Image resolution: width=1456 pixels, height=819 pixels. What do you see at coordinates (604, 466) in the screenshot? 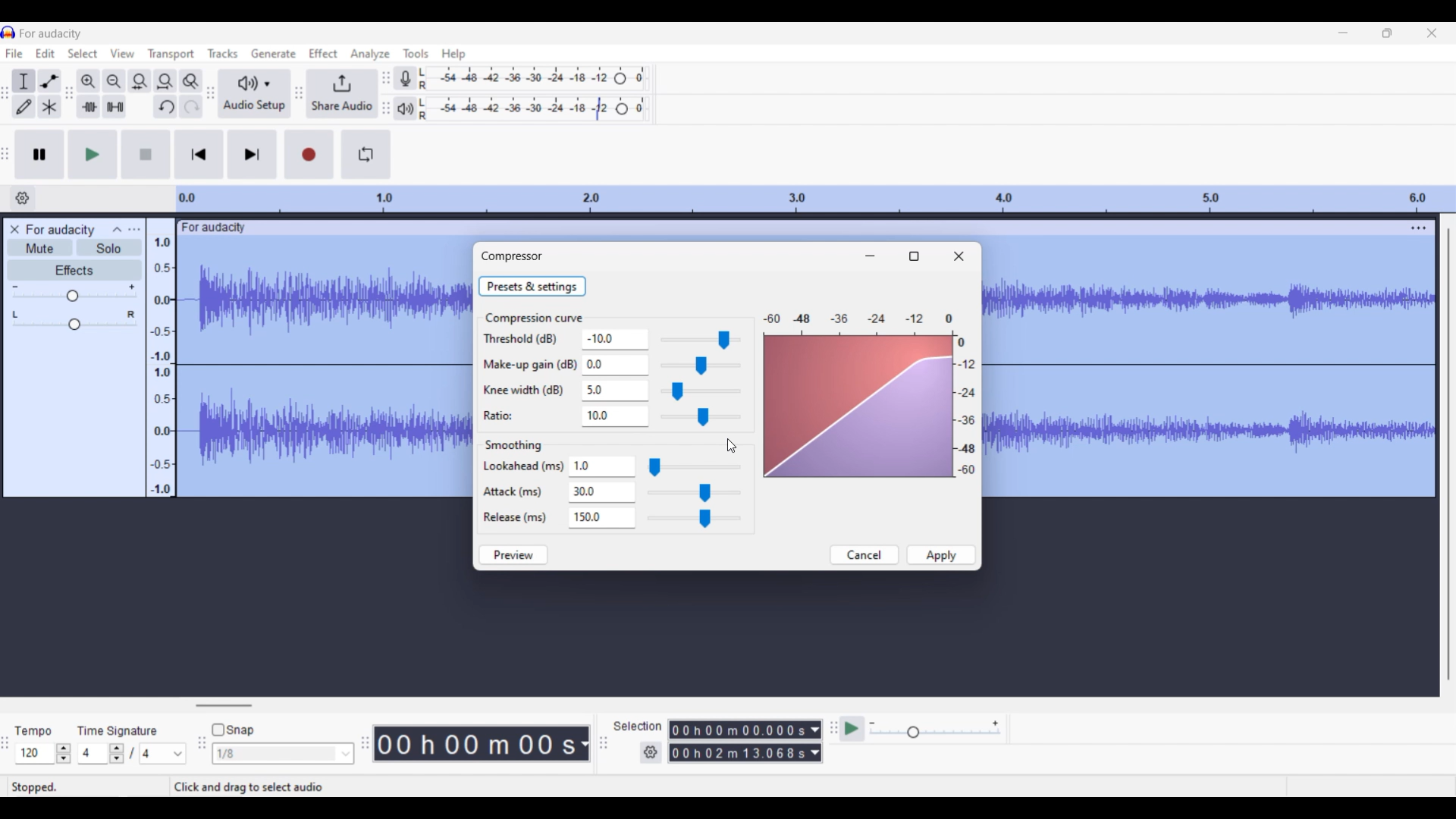
I see `Text box for Lookahead` at bounding box center [604, 466].